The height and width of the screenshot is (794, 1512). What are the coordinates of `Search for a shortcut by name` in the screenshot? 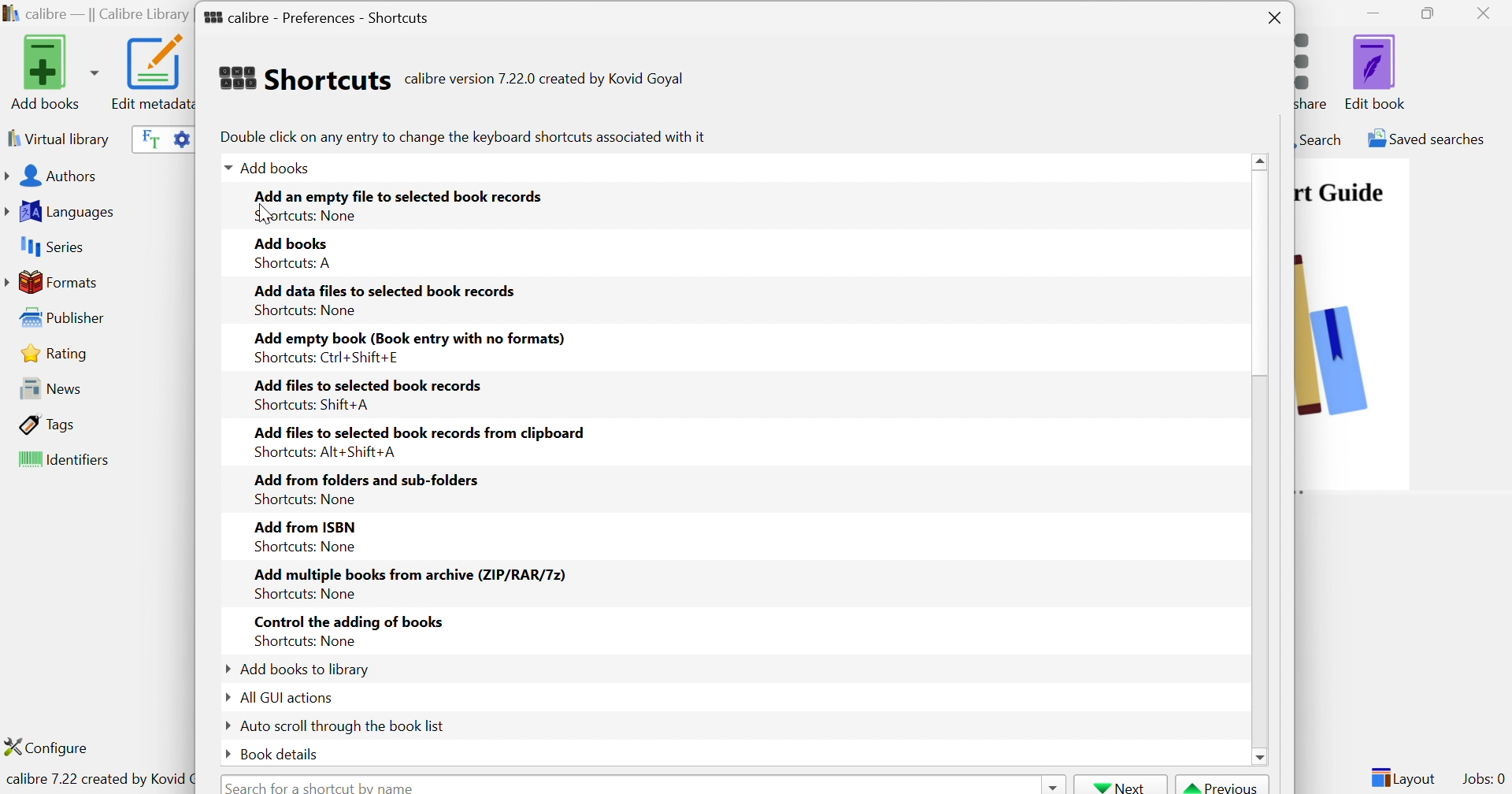 It's located at (324, 785).